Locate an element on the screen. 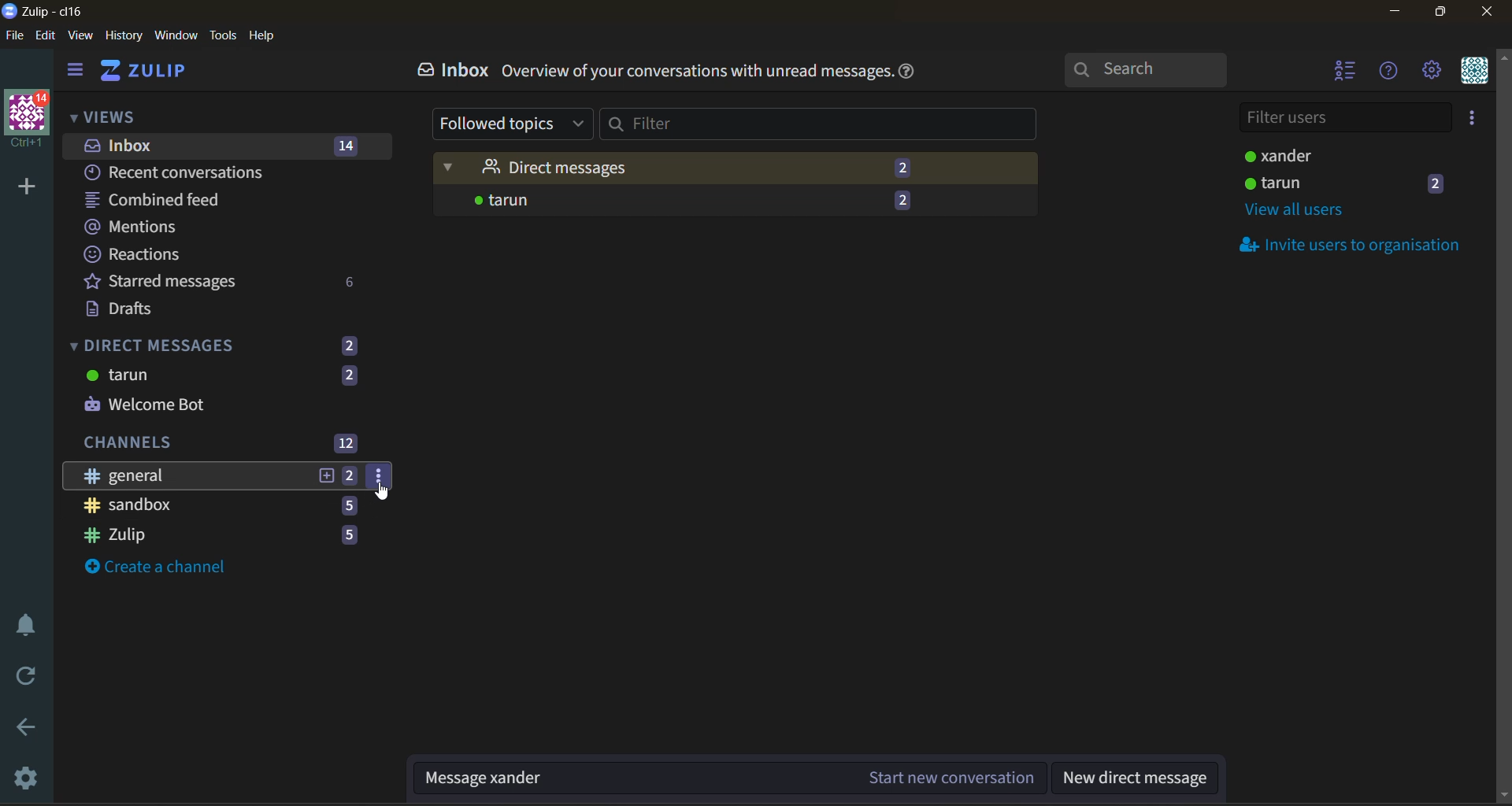  enable do not disturb is located at coordinates (27, 627).